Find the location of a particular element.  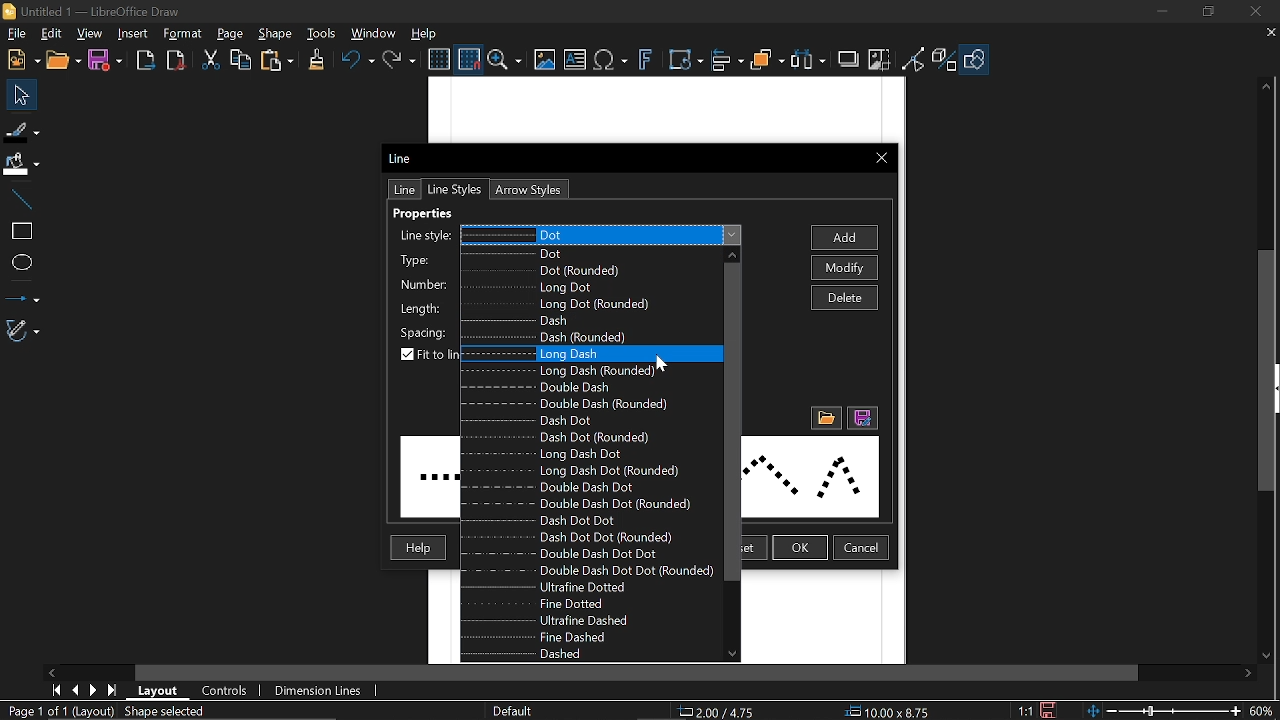

Dot is located at coordinates (588, 252).